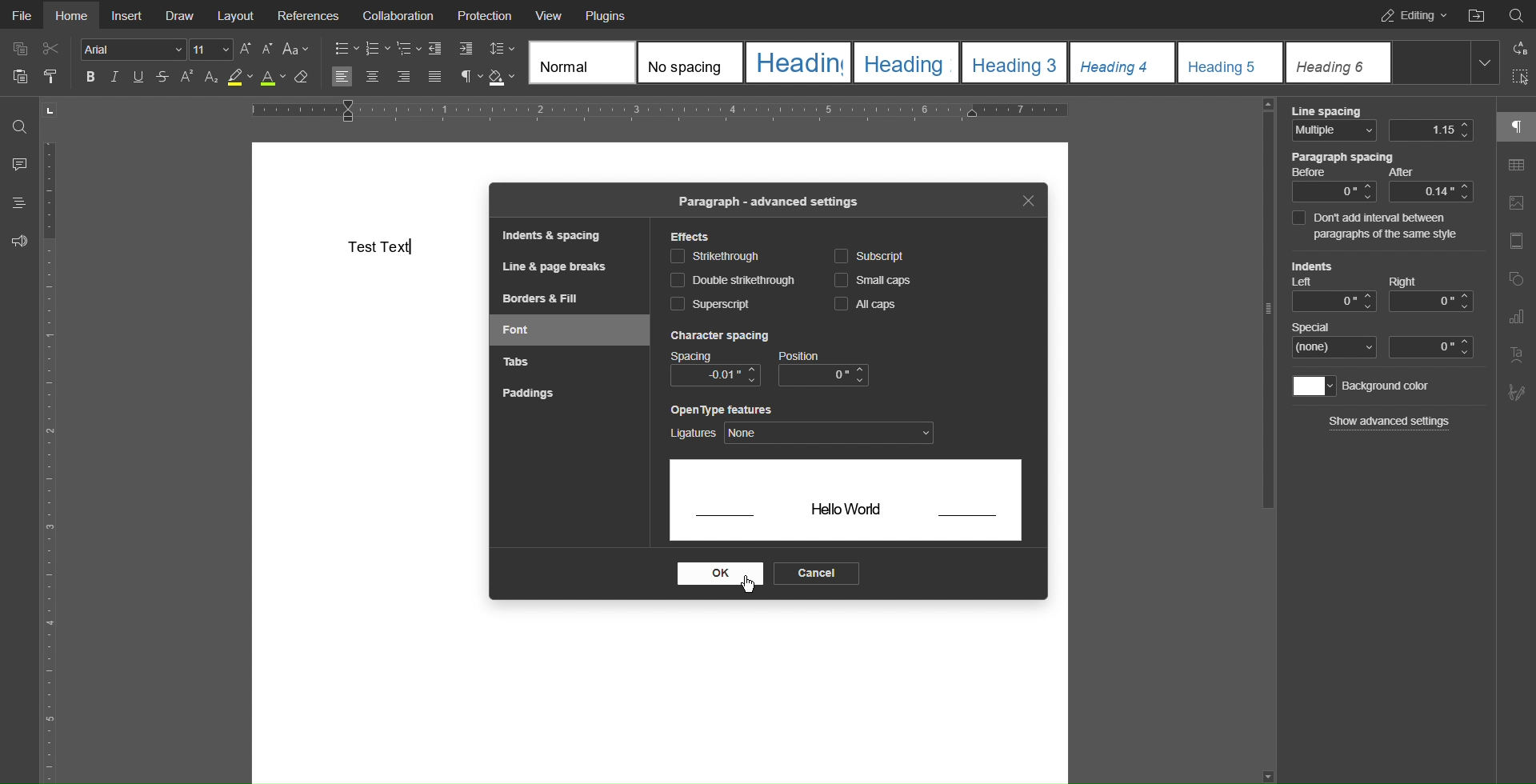  I want to click on Special, so click(1383, 339).